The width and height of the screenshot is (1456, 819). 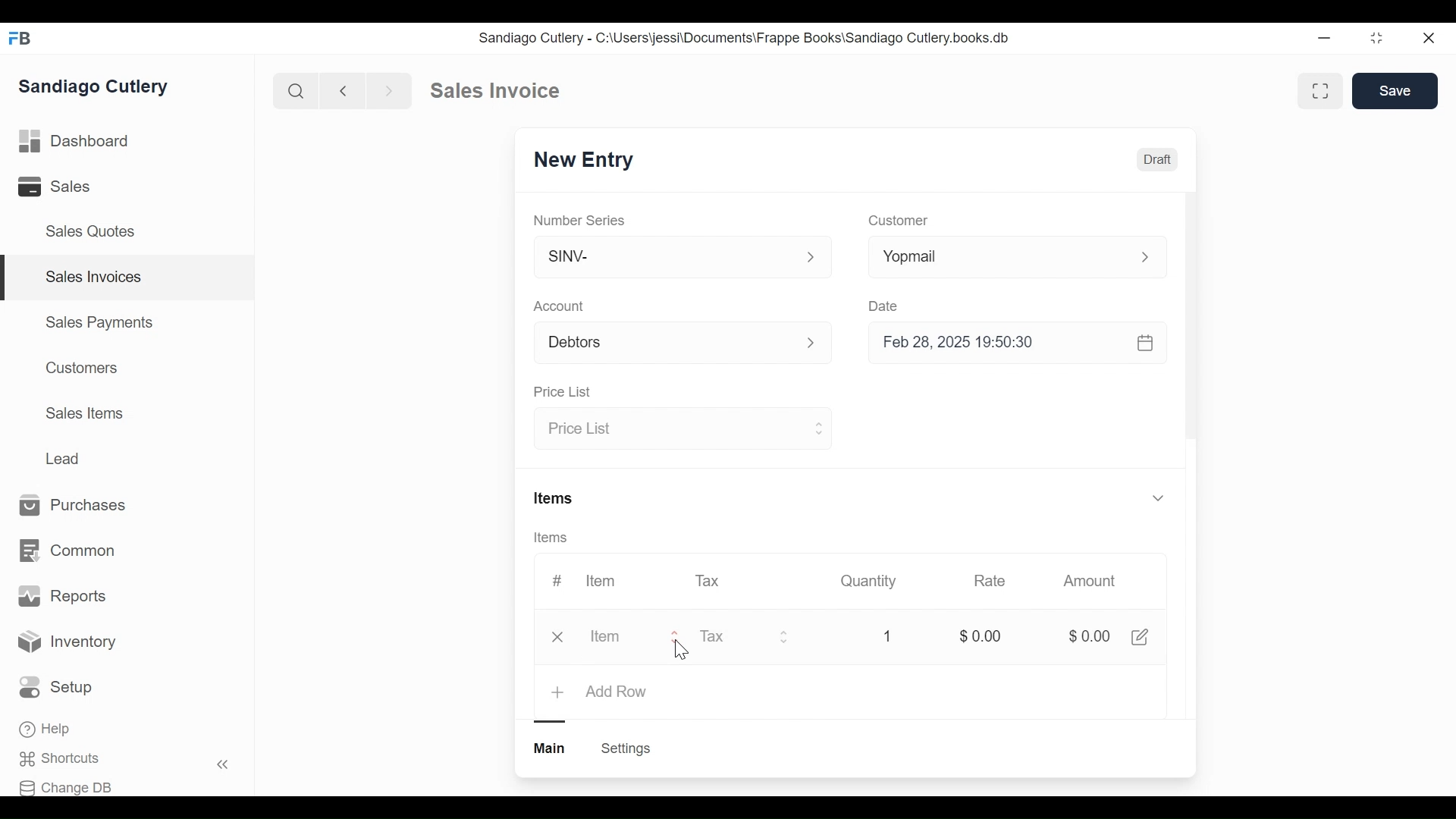 I want to click on Tax, so click(x=708, y=580).